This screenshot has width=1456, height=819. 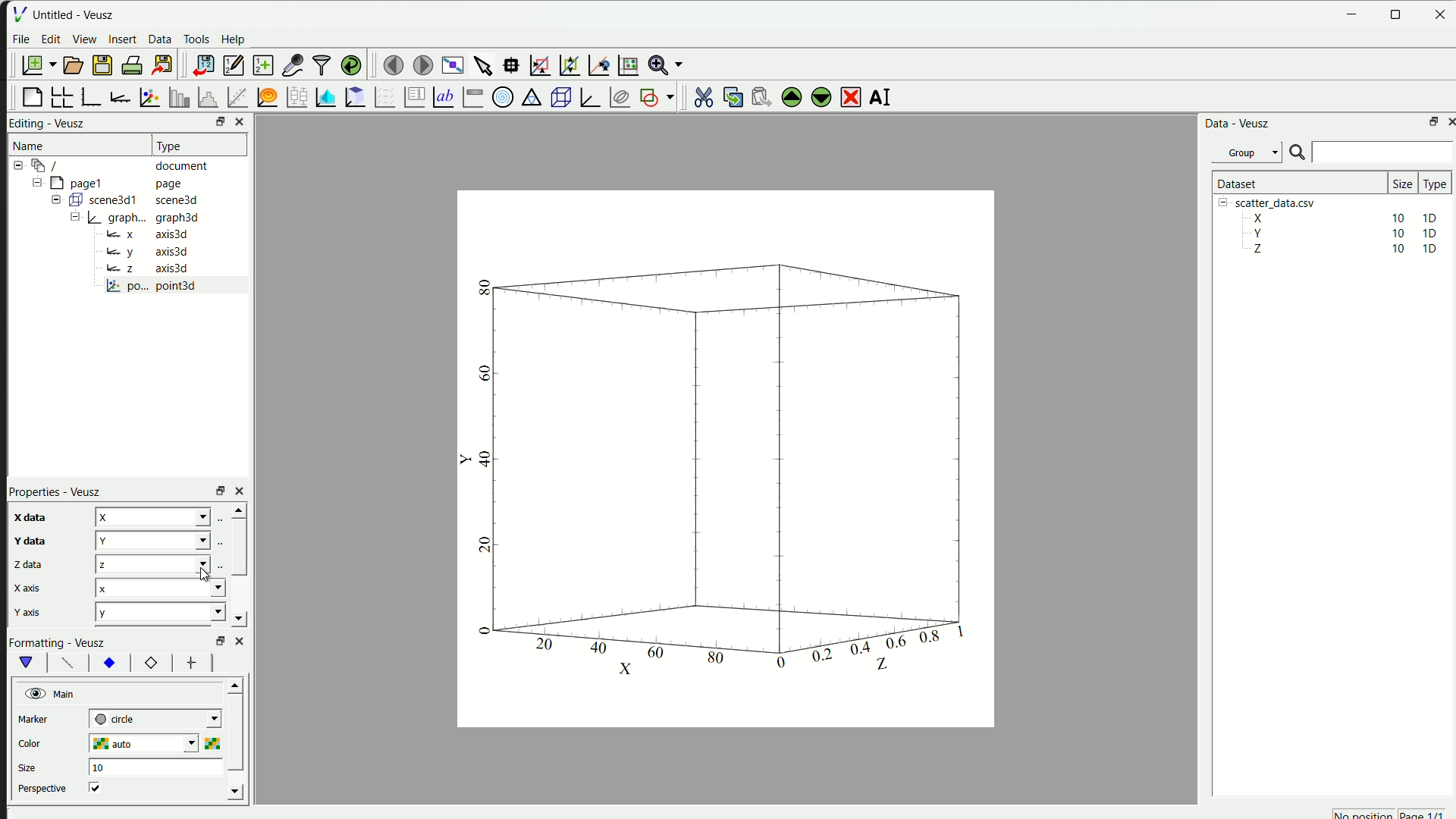 I want to click on cut the selected widget, so click(x=701, y=96).